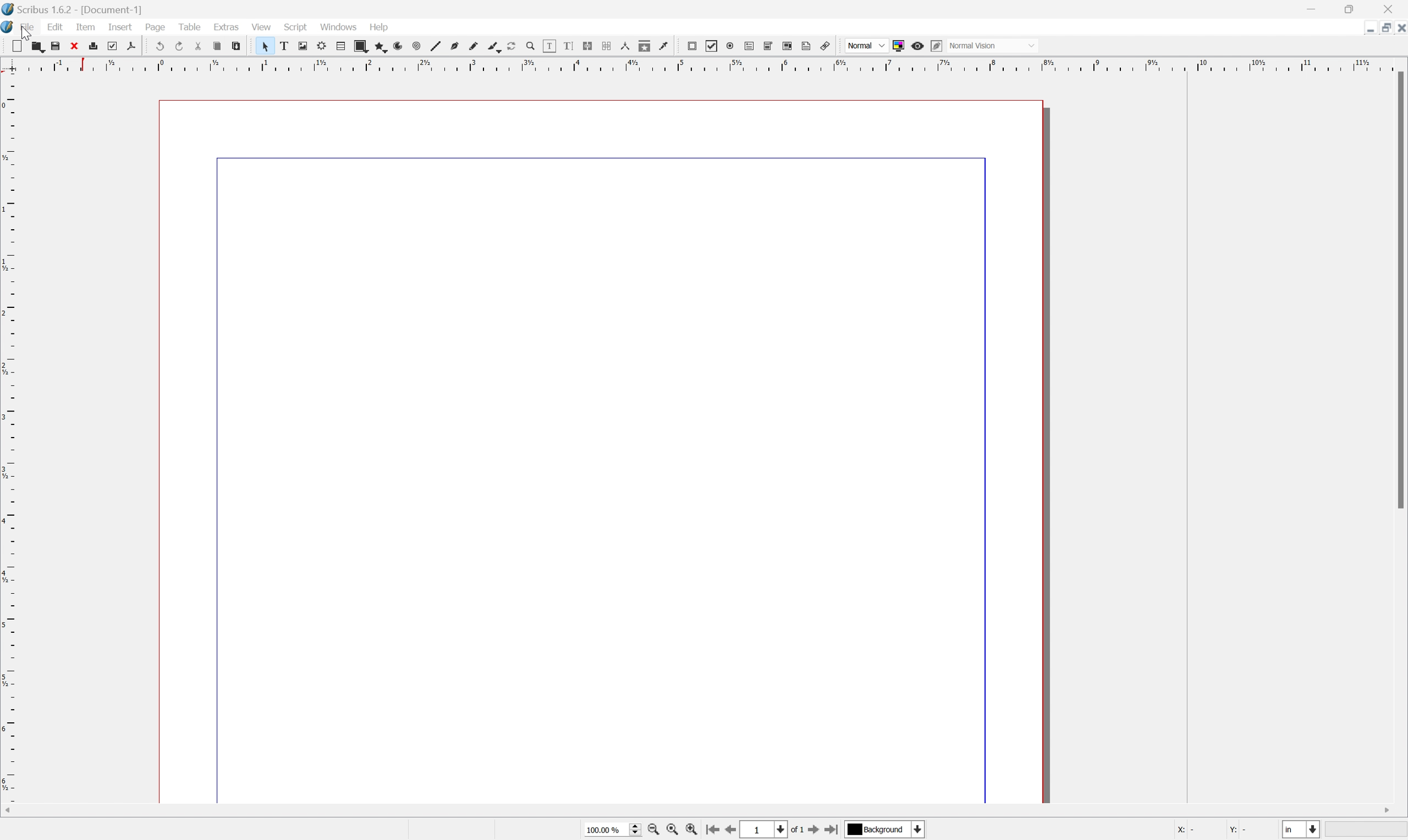  I want to click on Polygon, so click(378, 46).